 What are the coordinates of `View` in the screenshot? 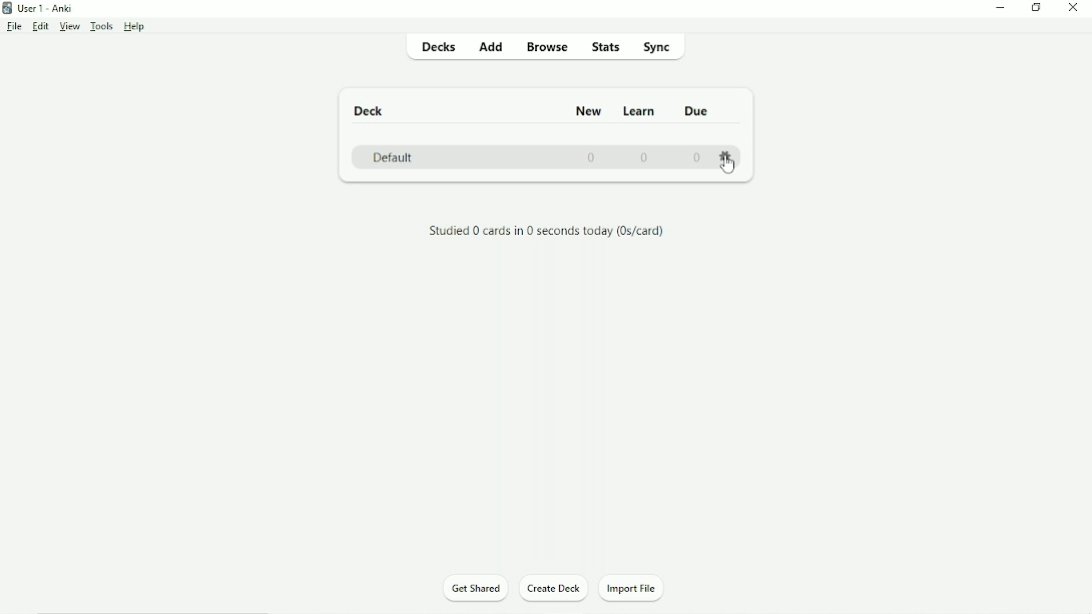 It's located at (68, 27).